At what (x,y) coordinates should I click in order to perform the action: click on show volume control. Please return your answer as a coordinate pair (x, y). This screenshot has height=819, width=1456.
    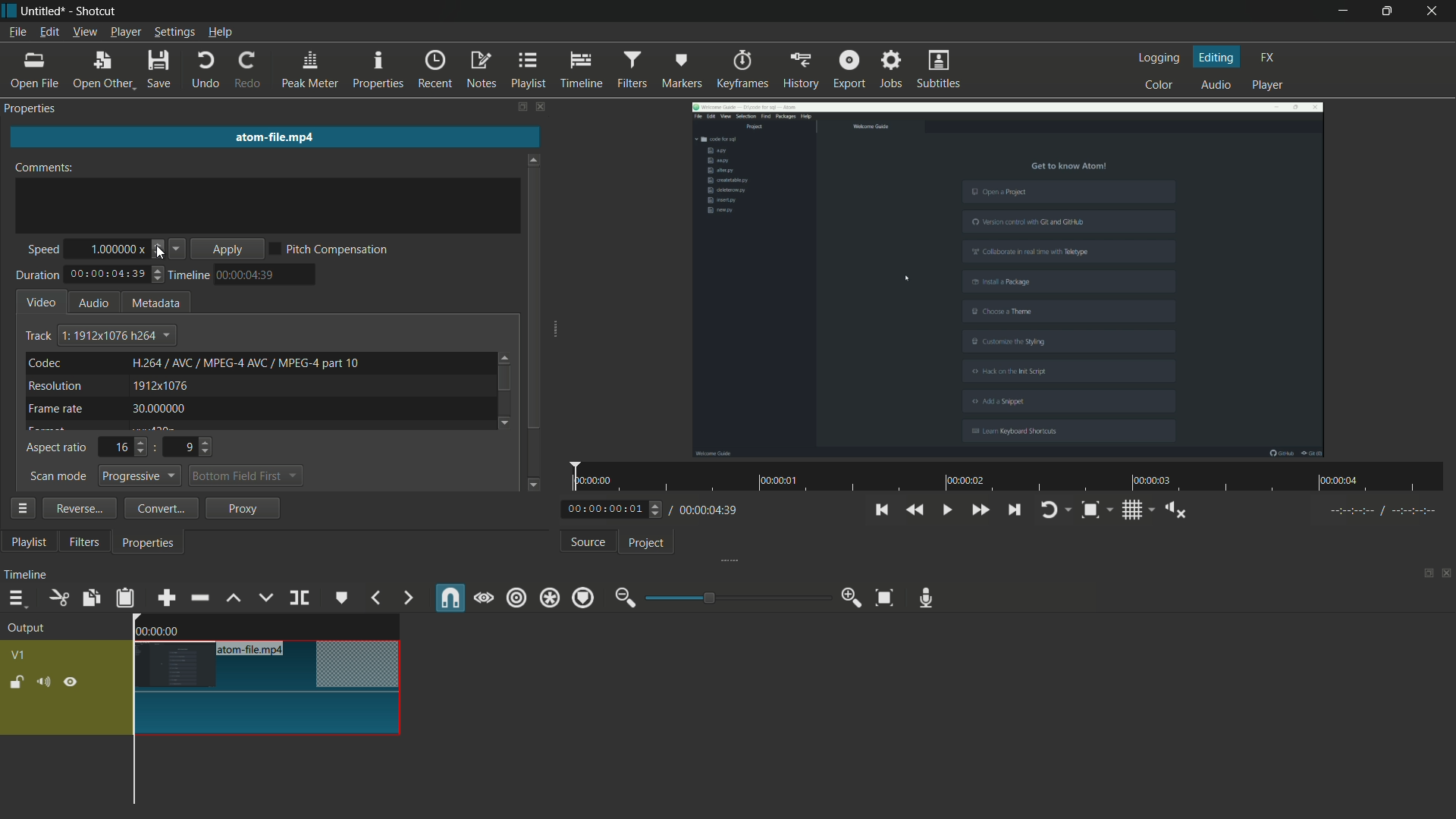
    Looking at the image, I should click on (1175, 510).